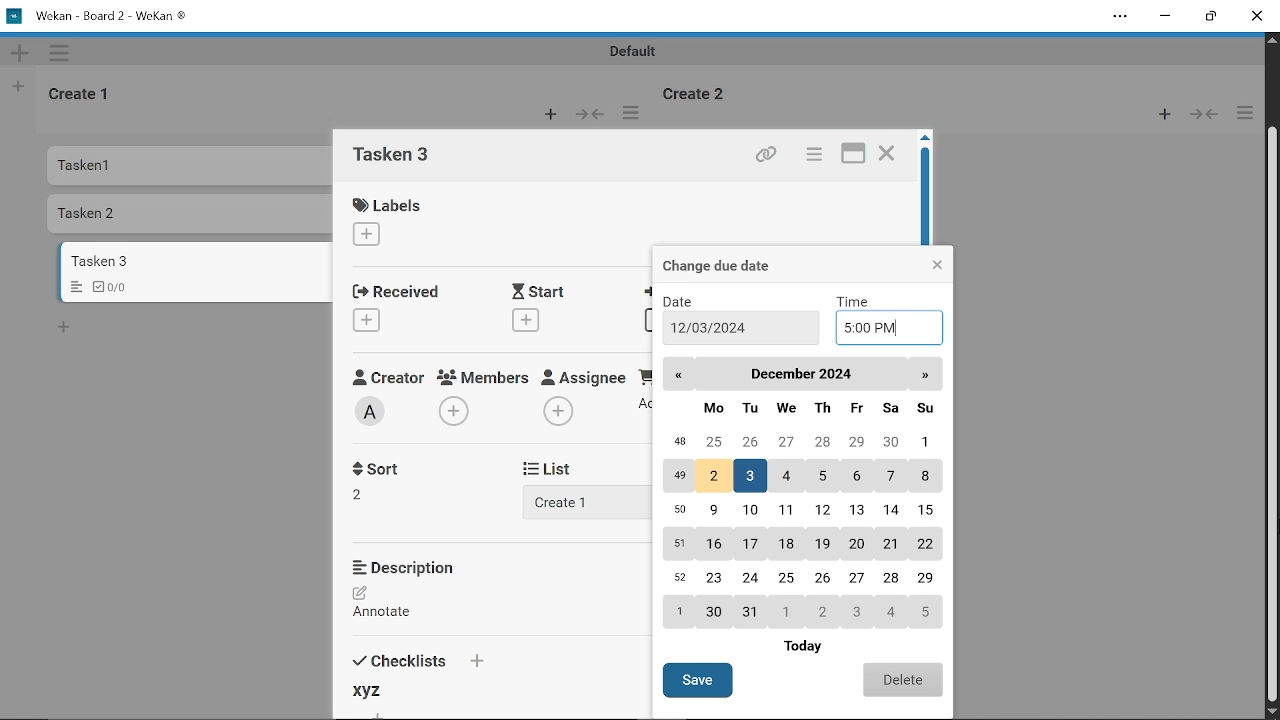 This screenshot has height=720, width=1280. What do you see at coordinates (392, 605) in the screenshot?
I see `Add description` at bounding box center [392, 605].